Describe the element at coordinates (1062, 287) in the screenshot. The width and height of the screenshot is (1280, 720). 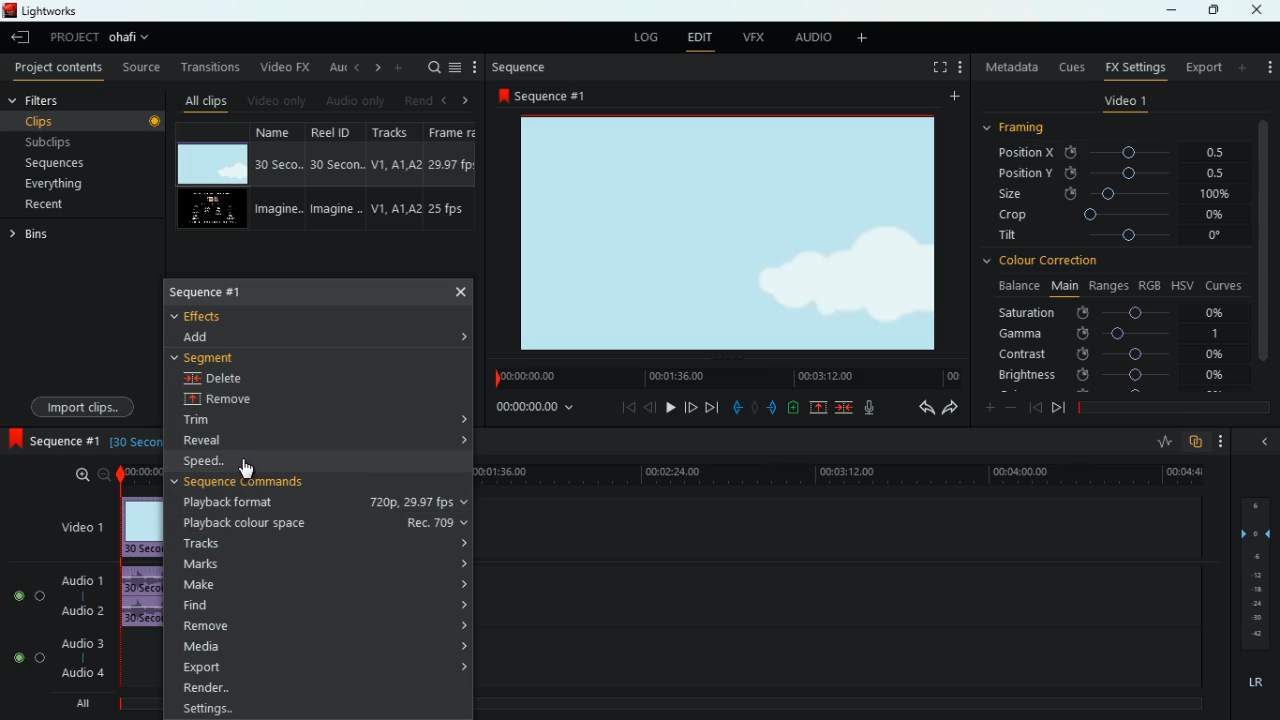
I see `main` at that location.